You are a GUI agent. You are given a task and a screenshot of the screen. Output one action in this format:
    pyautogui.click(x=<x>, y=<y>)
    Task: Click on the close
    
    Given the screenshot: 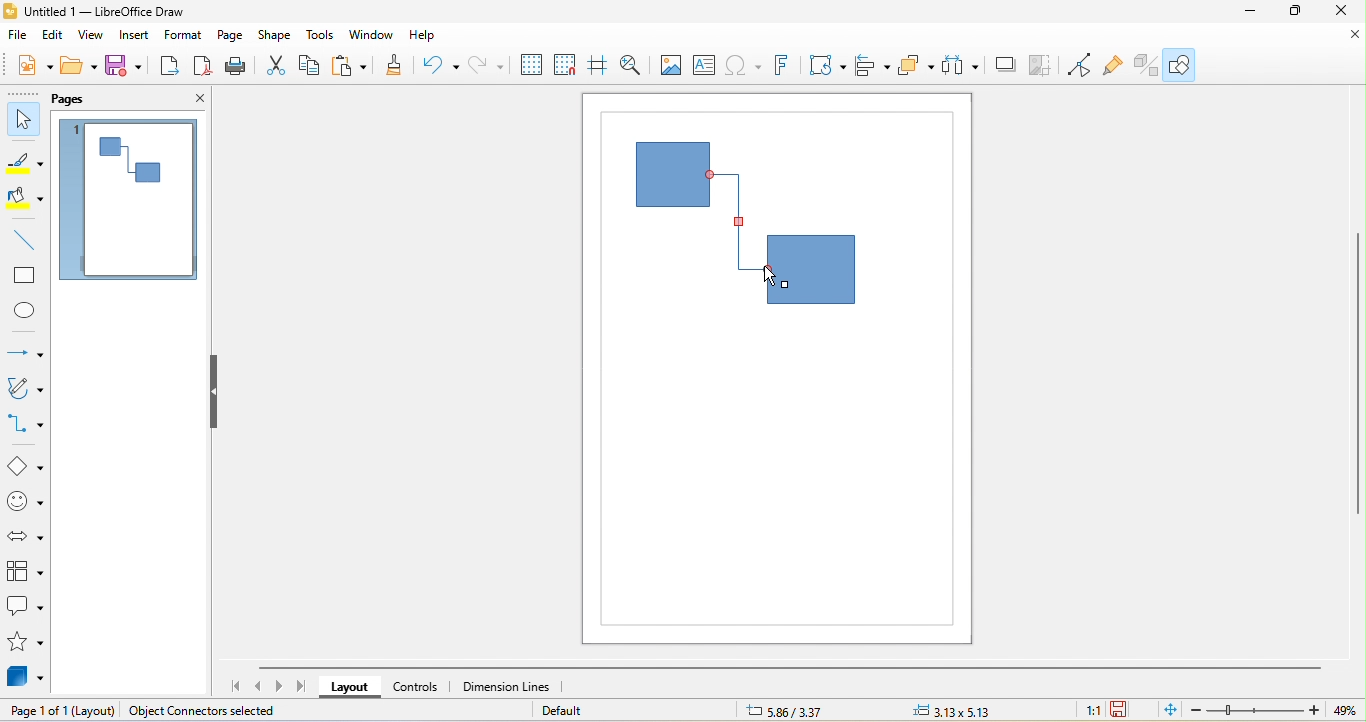 What is the action you would take?
    pyautogui.click(x=1351, y=34)
    